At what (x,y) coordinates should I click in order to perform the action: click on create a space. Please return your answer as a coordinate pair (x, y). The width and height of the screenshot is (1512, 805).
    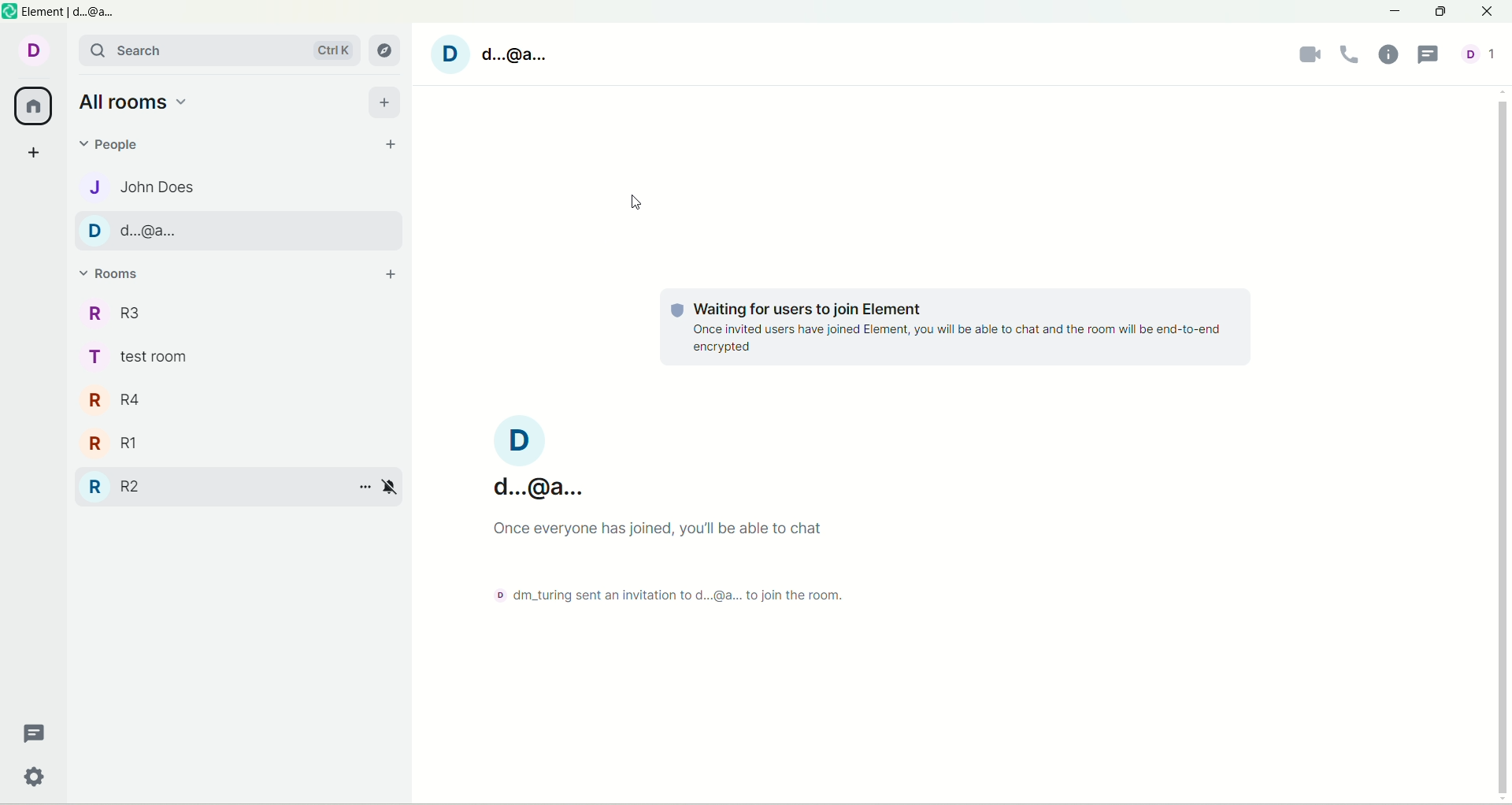
    Looking at the image, I should click on (35, 152).